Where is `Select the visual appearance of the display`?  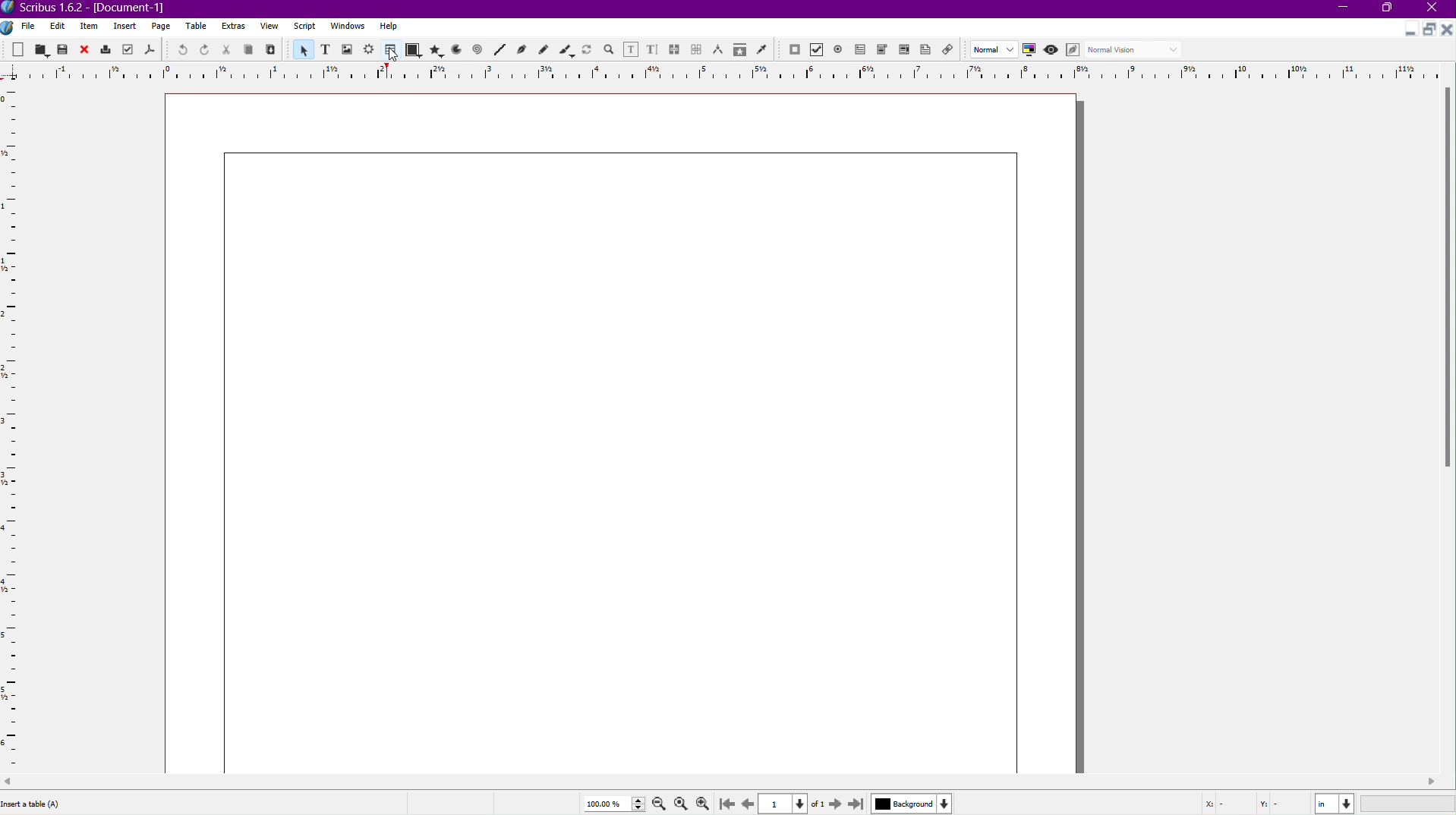 Select the visual appearance of the display is located at coordinates (1136, 50).